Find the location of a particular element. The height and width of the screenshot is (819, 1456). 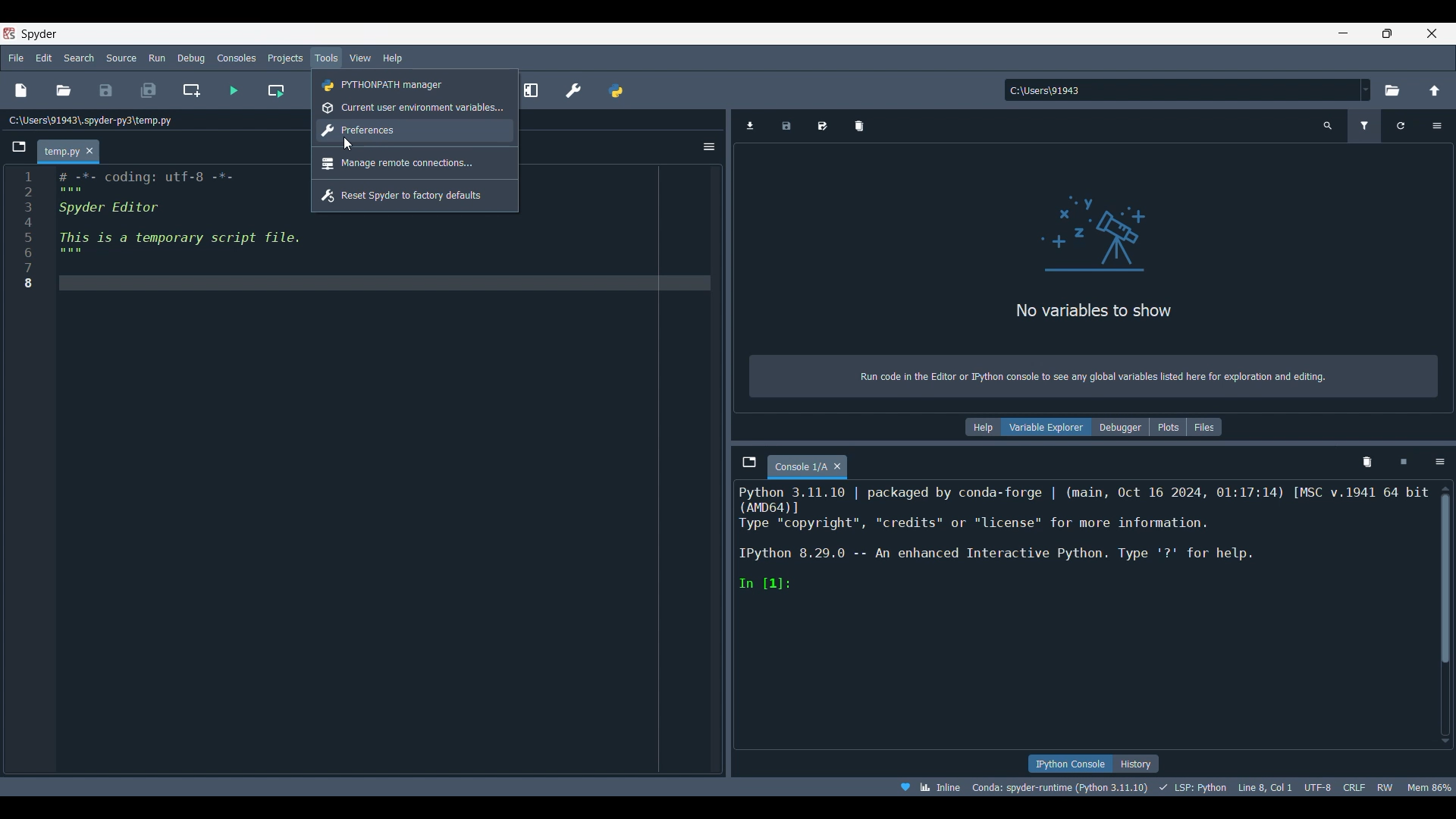

ipython console pane is located at coordinates (1084, 538).